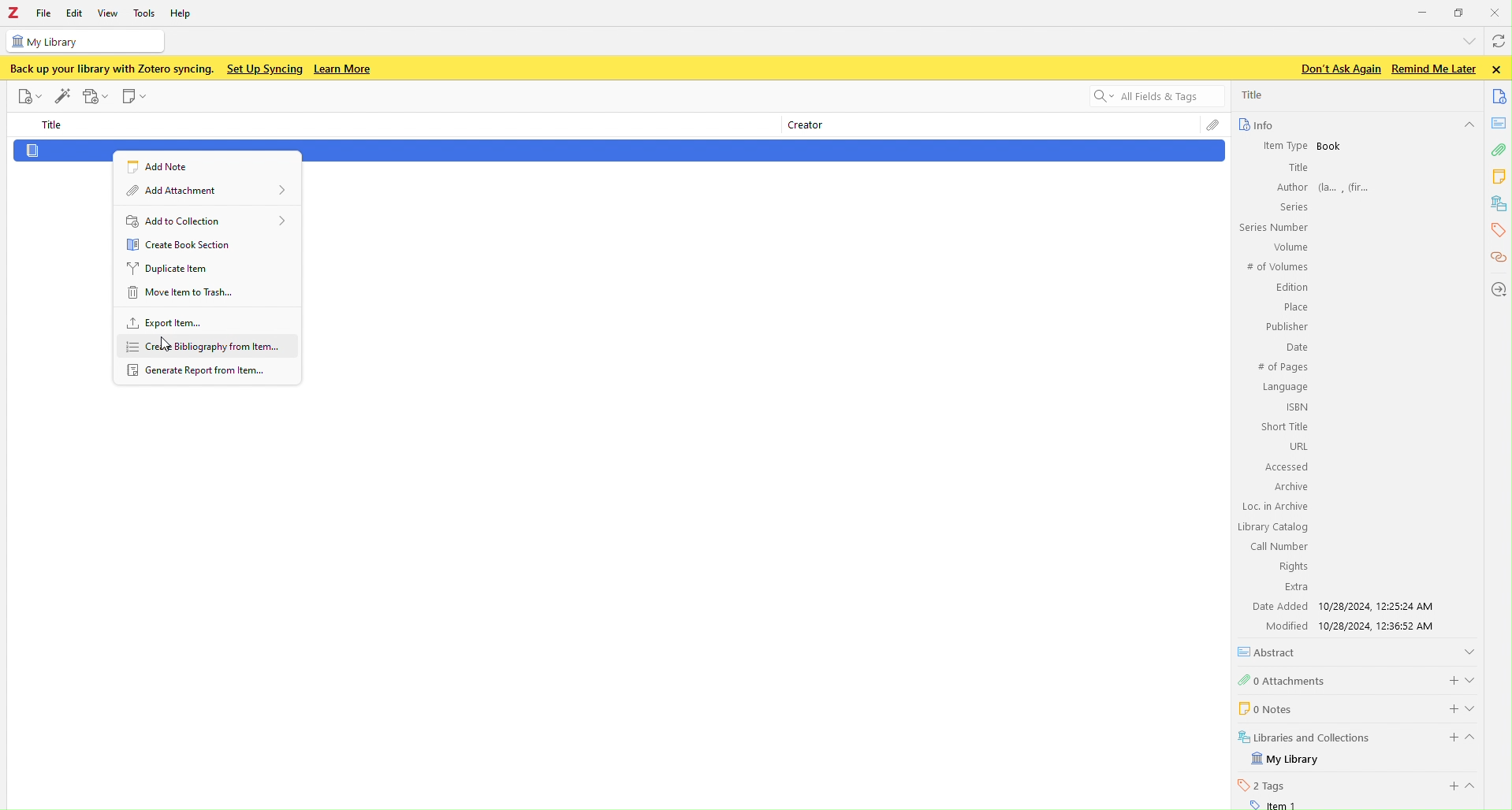 The image size is (1512, 810). I want to click on 2 Tags, so click(1262, 785).